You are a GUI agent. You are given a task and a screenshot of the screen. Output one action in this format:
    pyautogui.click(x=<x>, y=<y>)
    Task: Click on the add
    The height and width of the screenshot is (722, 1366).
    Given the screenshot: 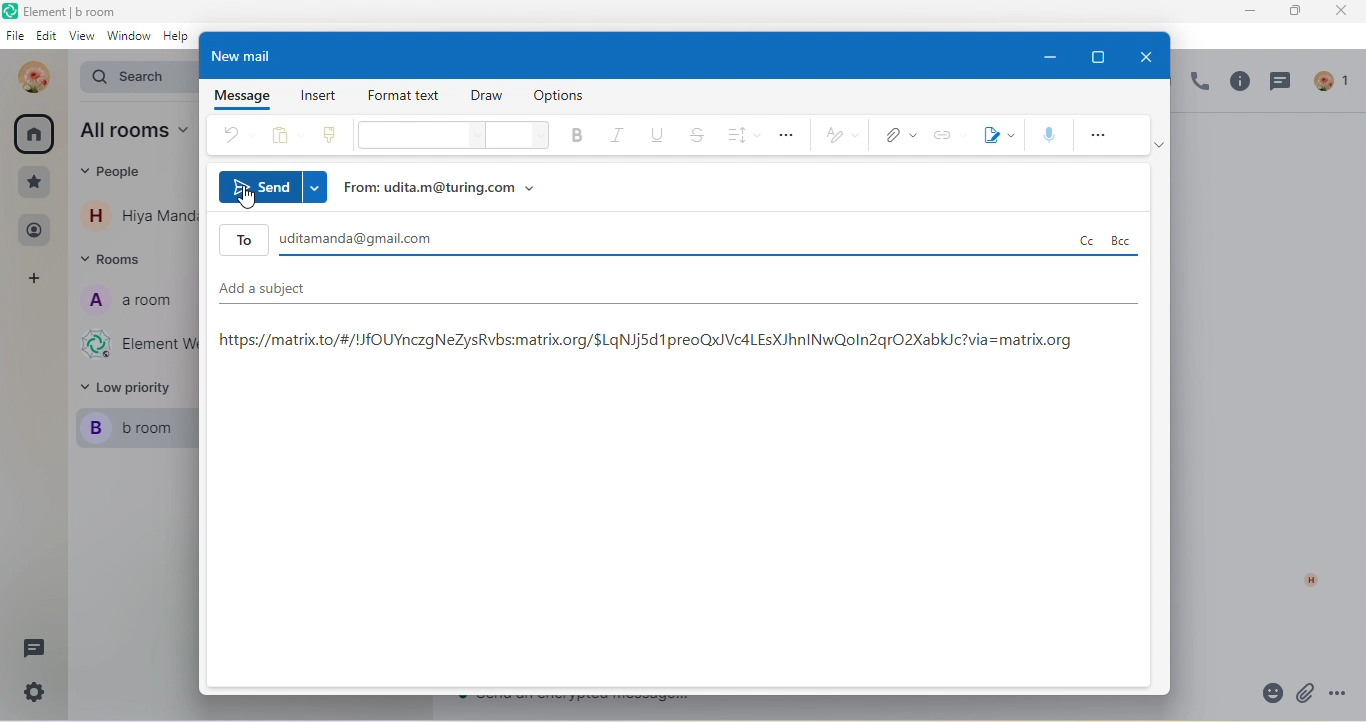 What is the action you would take?
    pyautogui.click(x=37, y=280)
    